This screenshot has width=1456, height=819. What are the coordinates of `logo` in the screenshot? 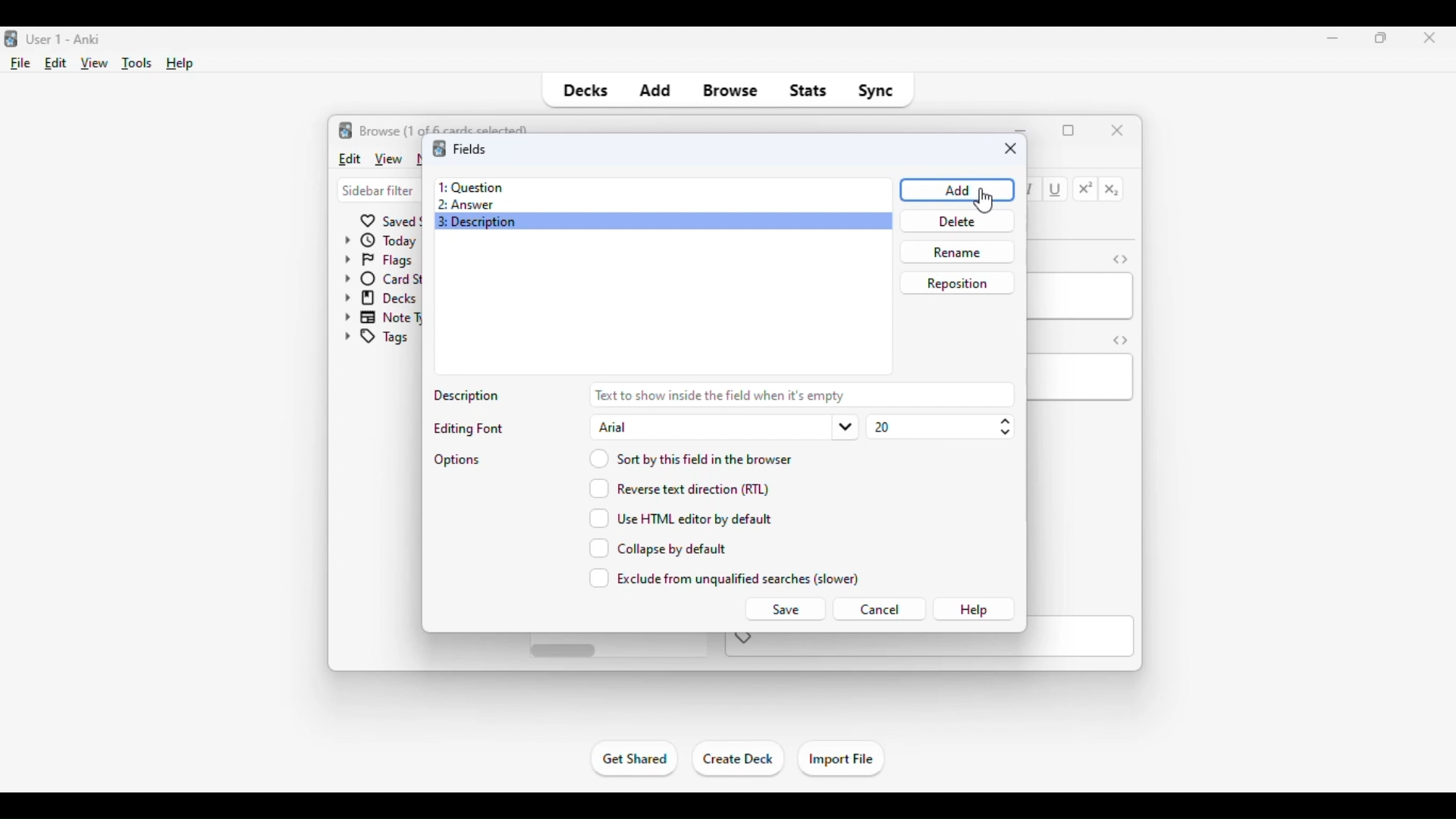 It's located at (346, 130).